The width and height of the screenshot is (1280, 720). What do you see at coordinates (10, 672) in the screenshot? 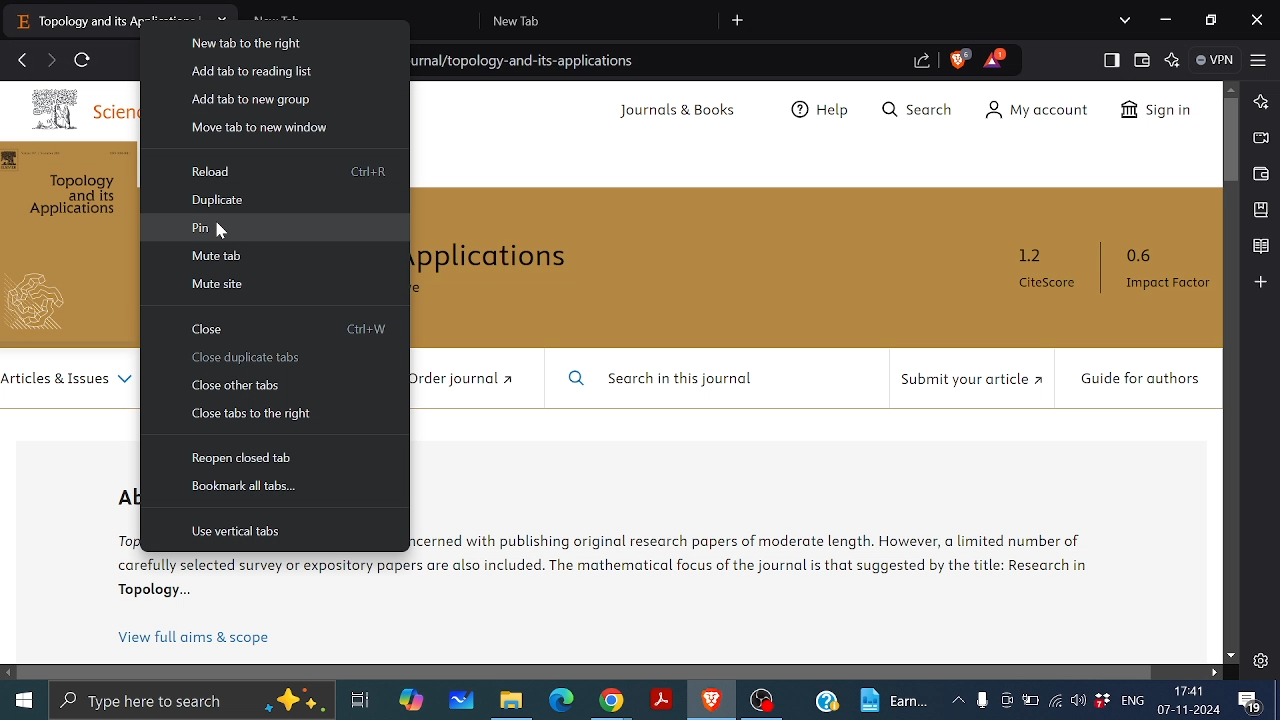
I see `Move left` at bounding box center [10, 672].